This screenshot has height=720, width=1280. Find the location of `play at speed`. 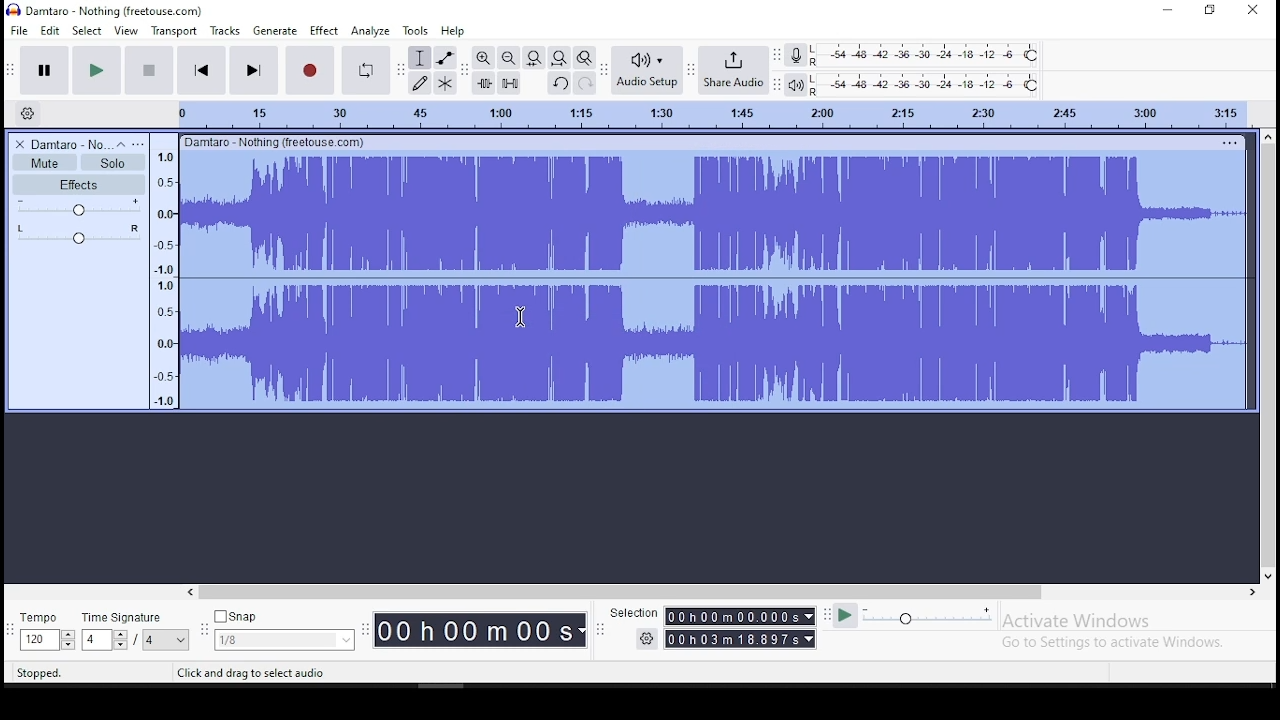

play at speed is located at coordinates (848, 616).